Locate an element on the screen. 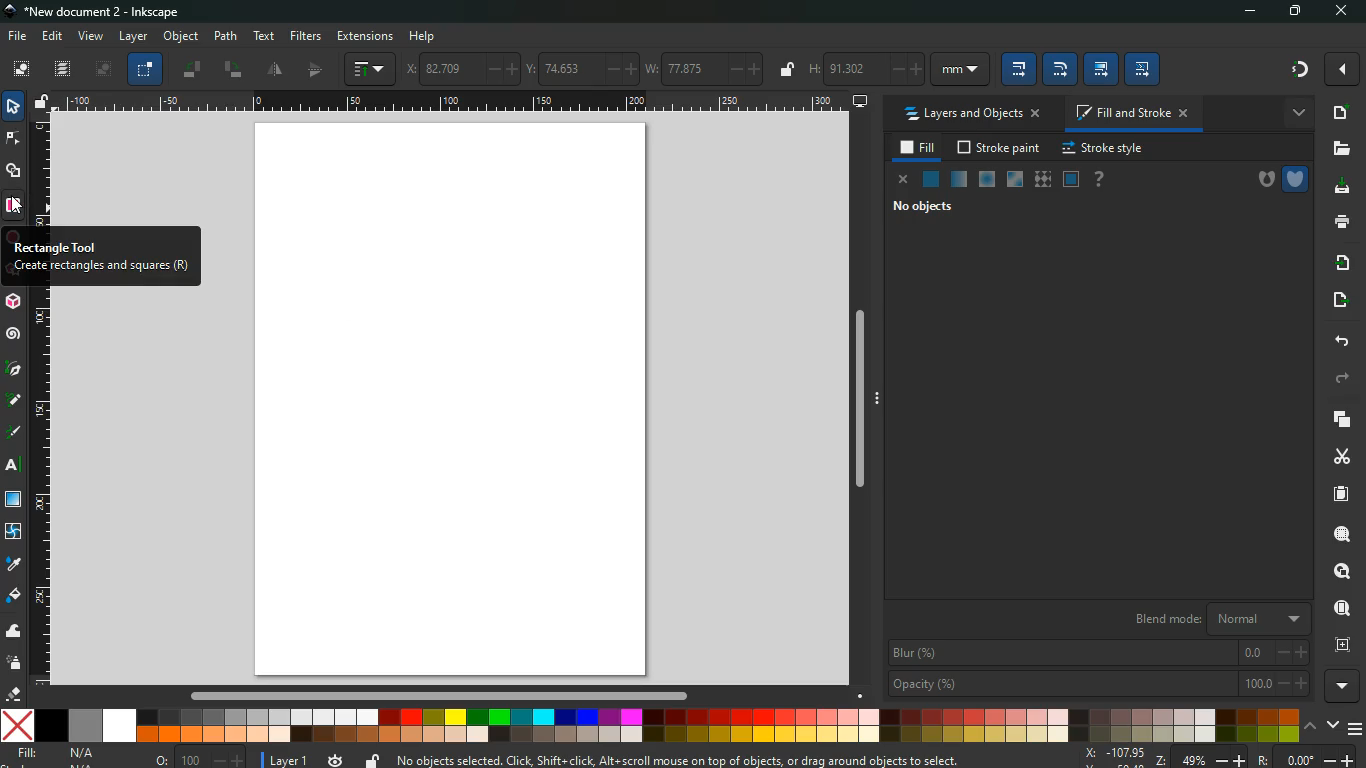  draw is located at coordinates (14, 433).